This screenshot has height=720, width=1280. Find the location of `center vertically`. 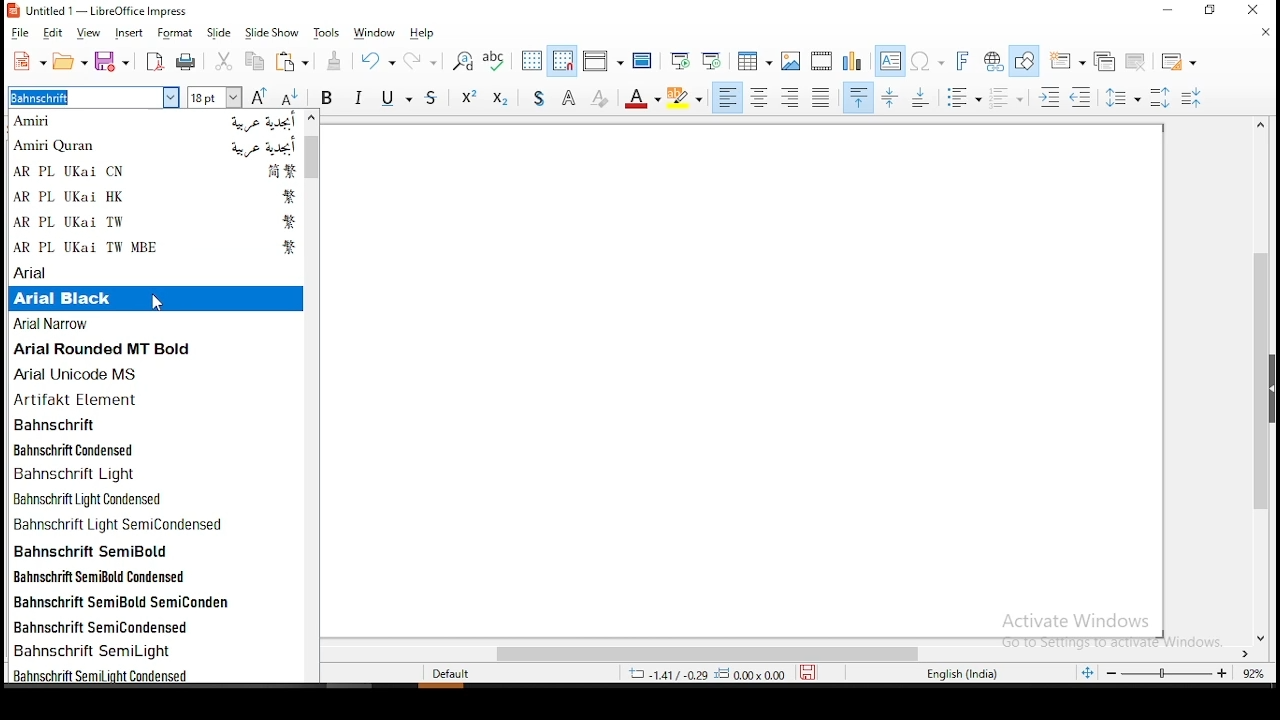

center vertically is located at coordinates (891, 96).